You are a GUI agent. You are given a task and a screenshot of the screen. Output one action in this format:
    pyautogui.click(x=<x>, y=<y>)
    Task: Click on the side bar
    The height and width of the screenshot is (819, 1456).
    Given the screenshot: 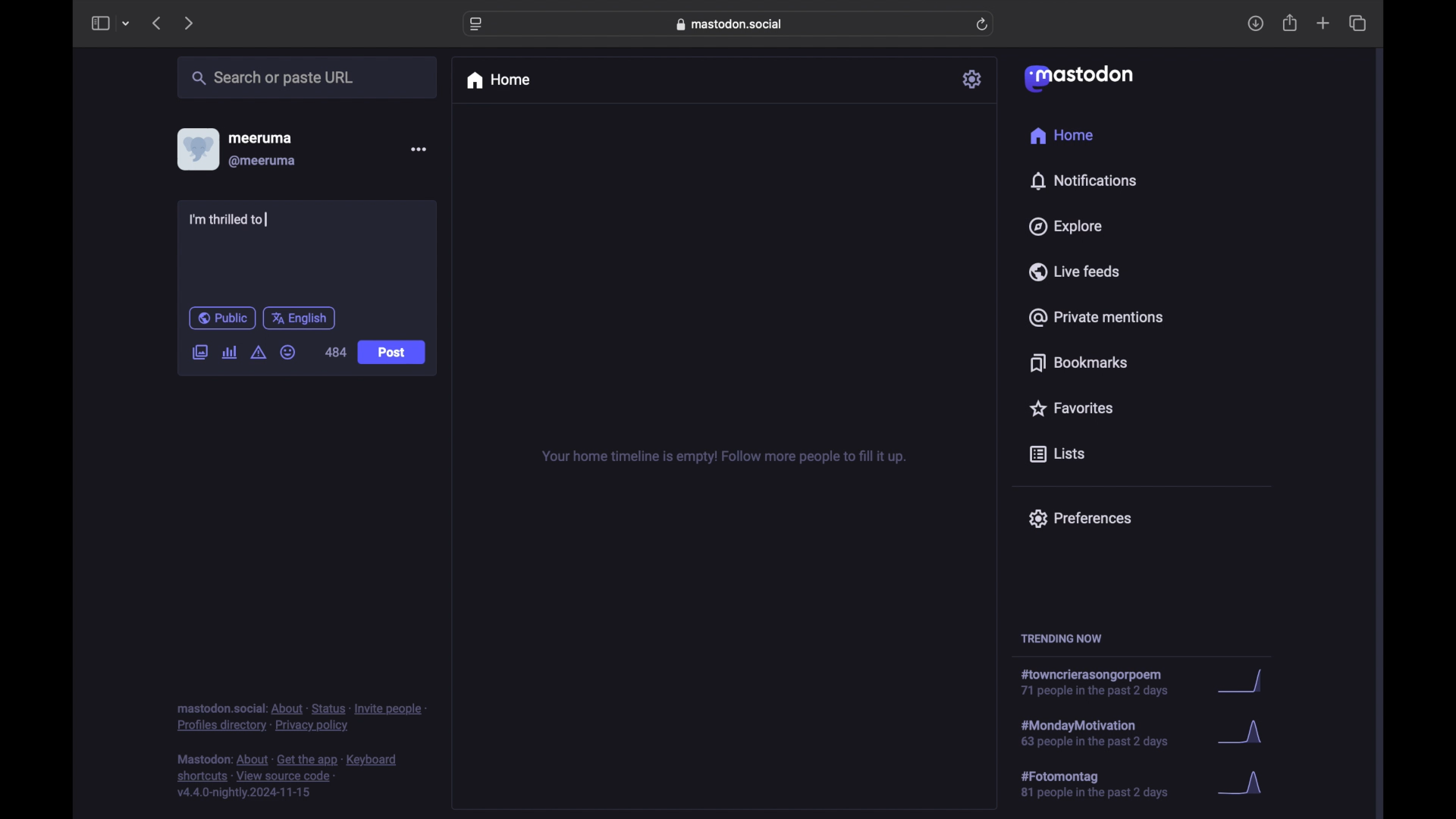 What is the action you would take?
    pyautogui.click(x=99, y=23)
    